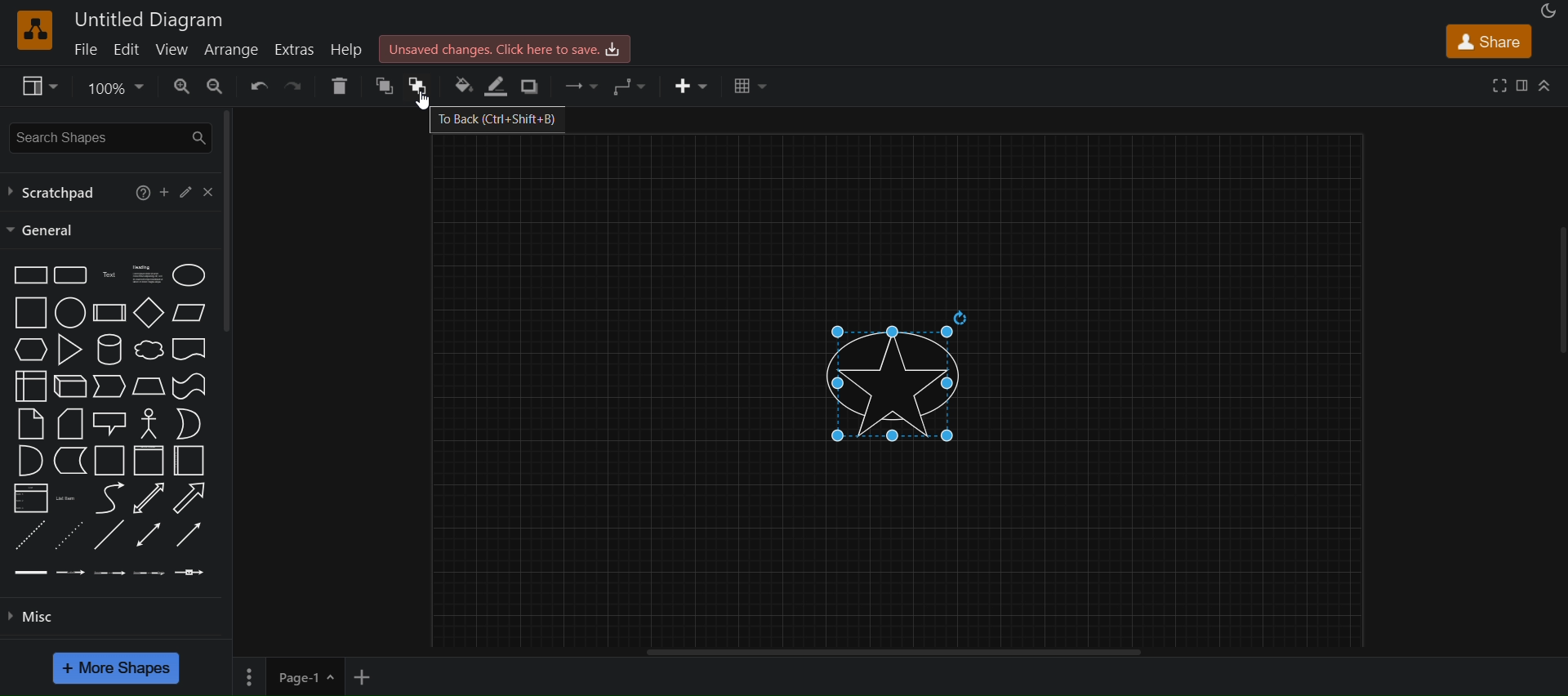 The image size is (1568, 696). I want to click on misc, so click(38, 617).